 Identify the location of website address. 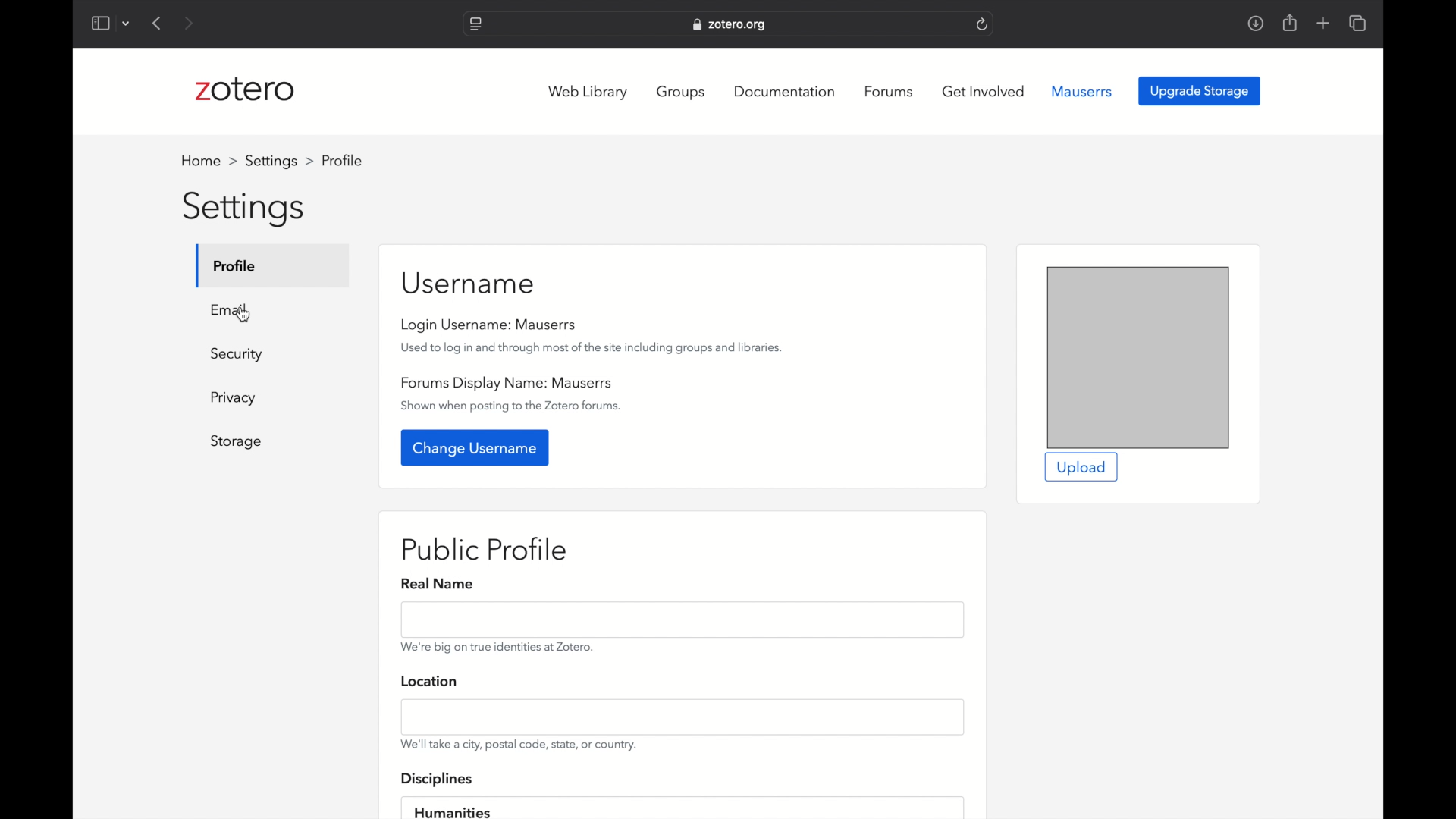
(730, 25).